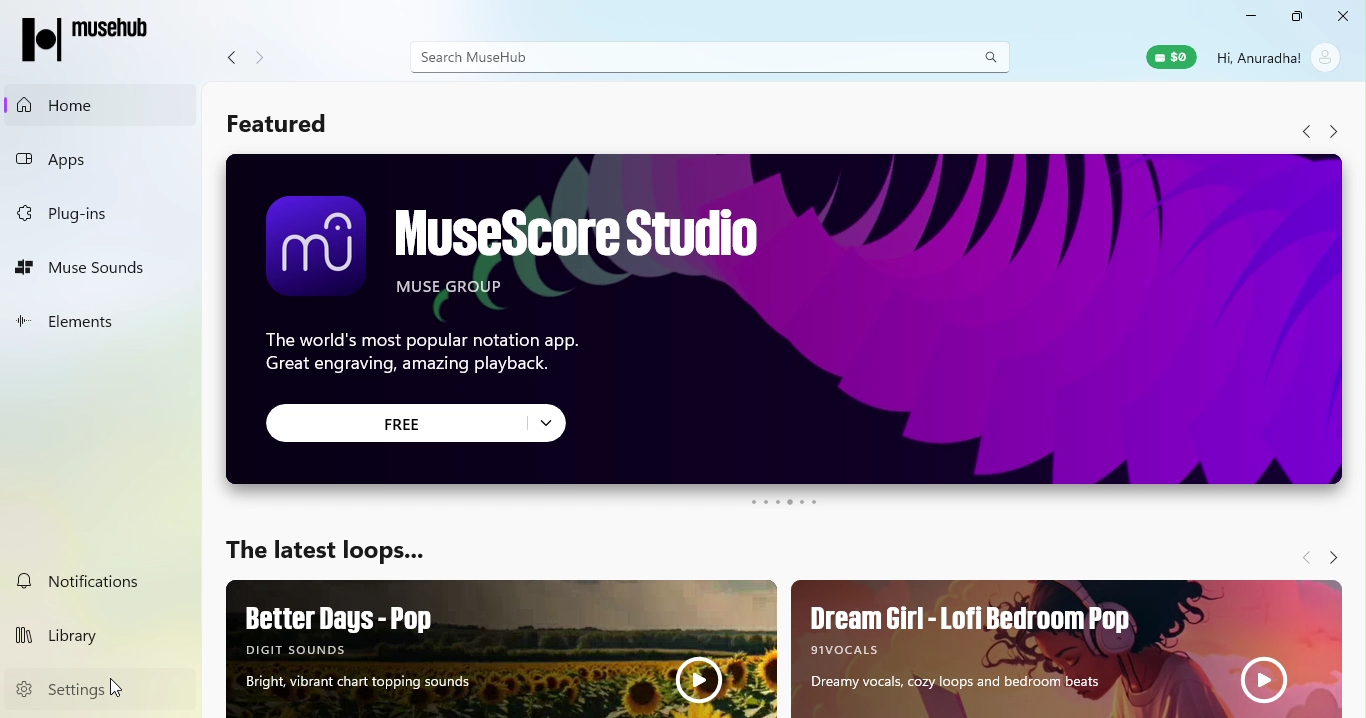 This screenshot has height=718, width=1366. I want to click on ad, so click(500, 647).